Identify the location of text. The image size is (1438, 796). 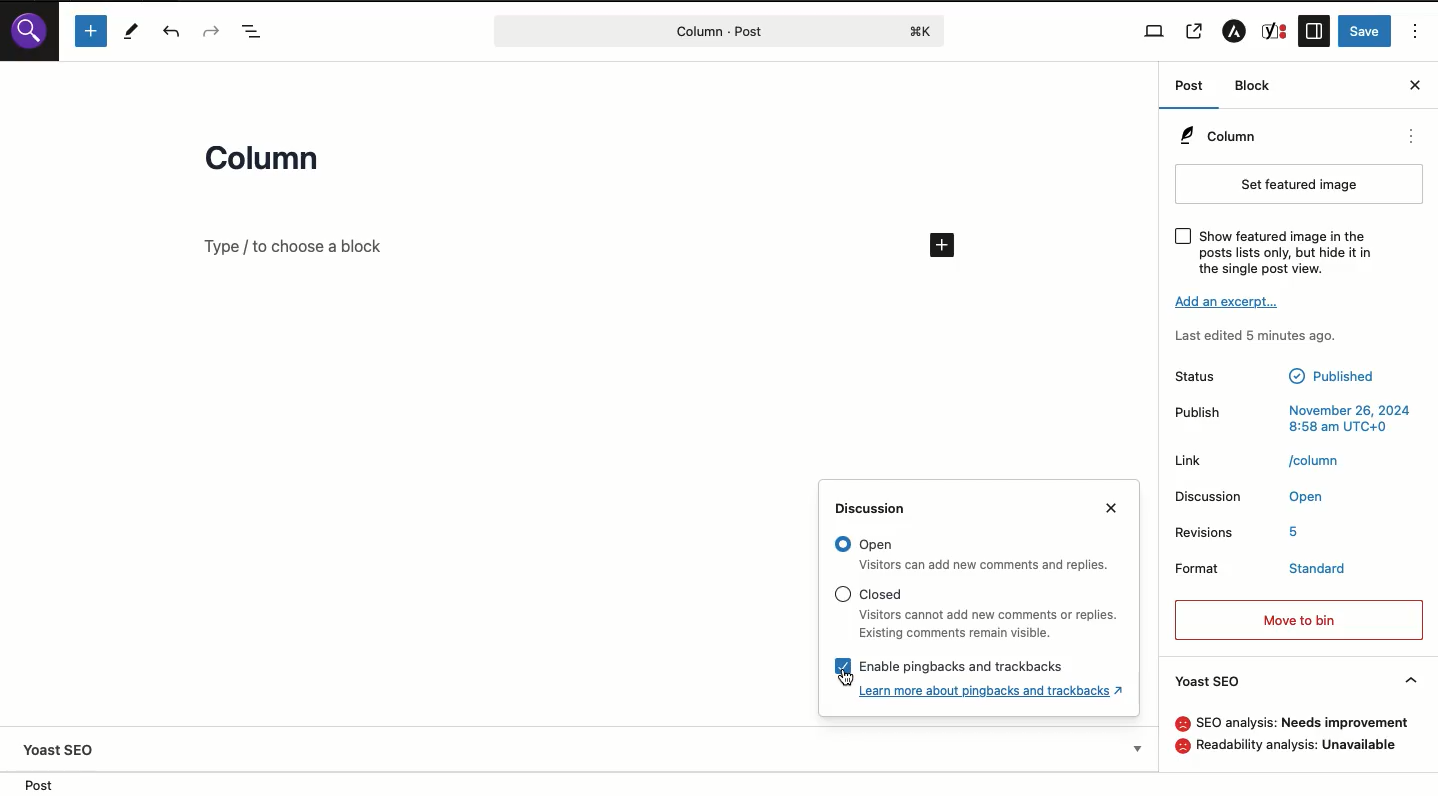
(1297, 530).